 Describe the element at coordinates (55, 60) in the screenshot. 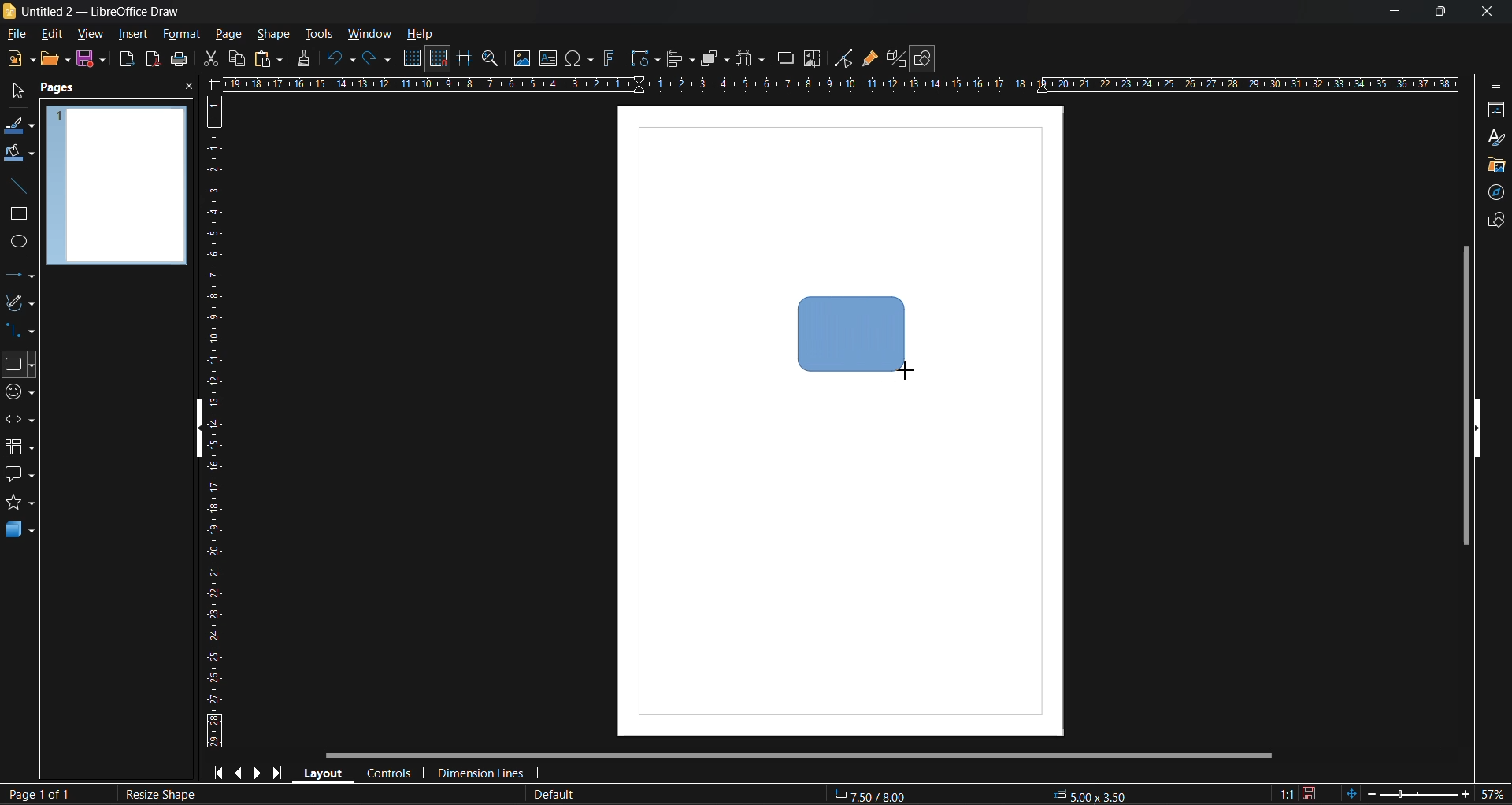

I see `open` at that location.